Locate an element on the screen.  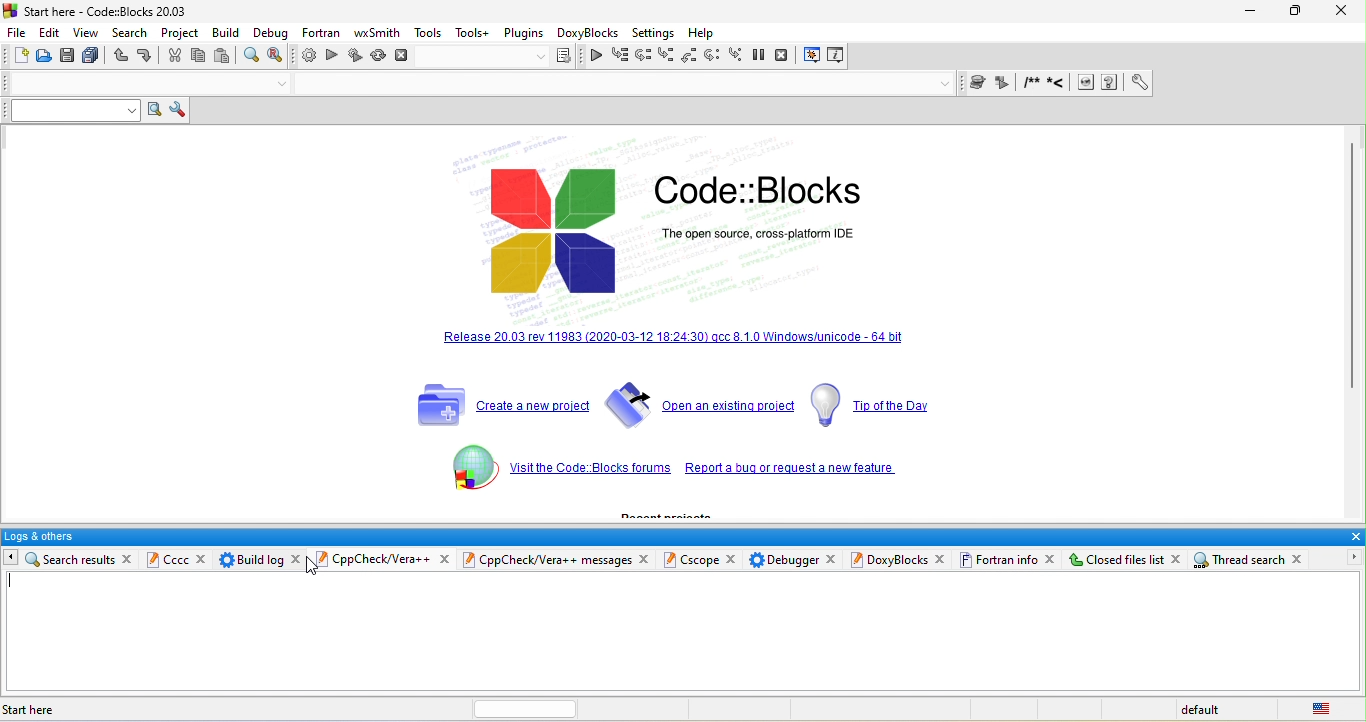
line comment is located at coordinates (1058, 83).